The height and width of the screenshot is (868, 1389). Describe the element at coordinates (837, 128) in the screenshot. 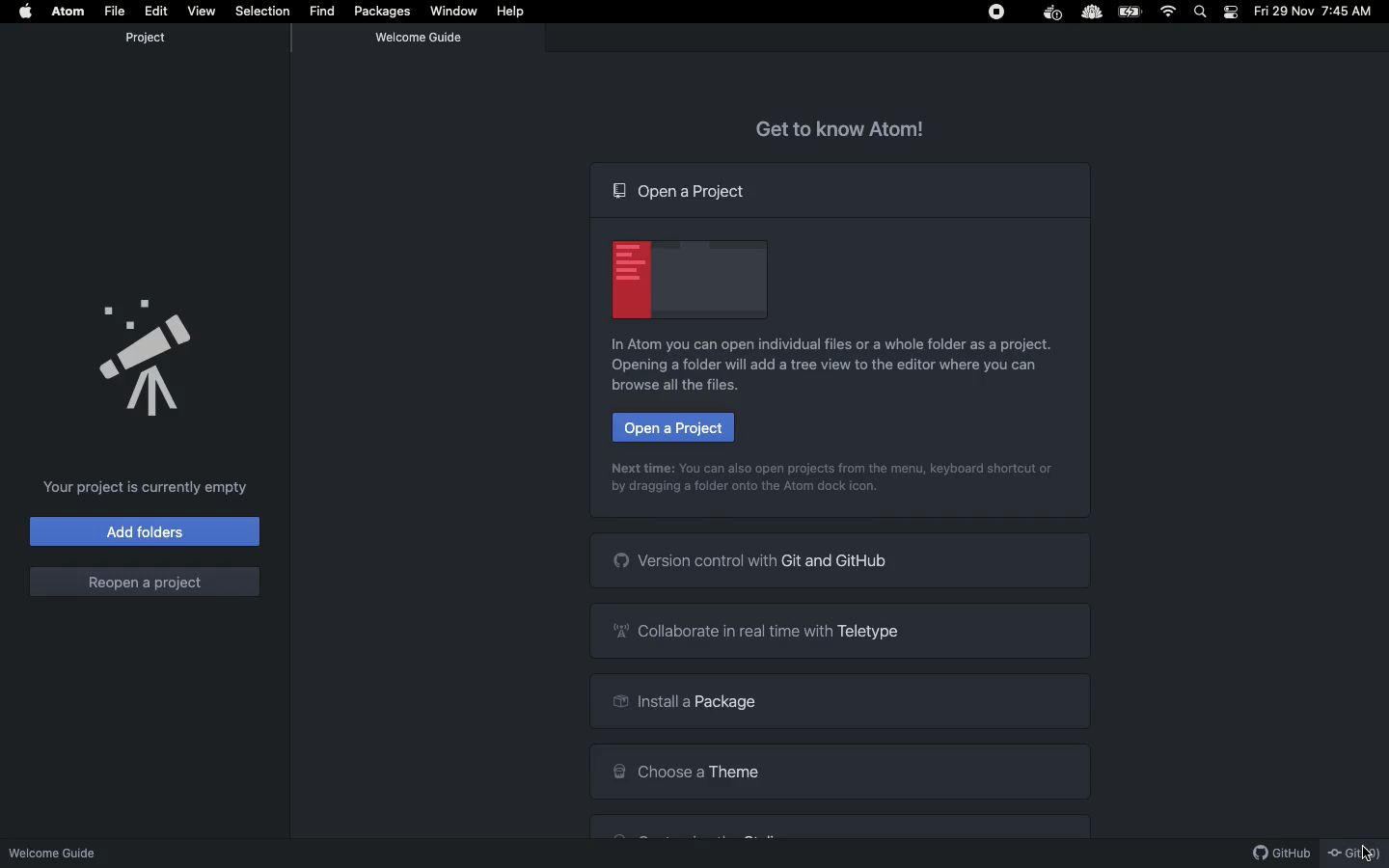

I see `Get to know Atom!` at that location.